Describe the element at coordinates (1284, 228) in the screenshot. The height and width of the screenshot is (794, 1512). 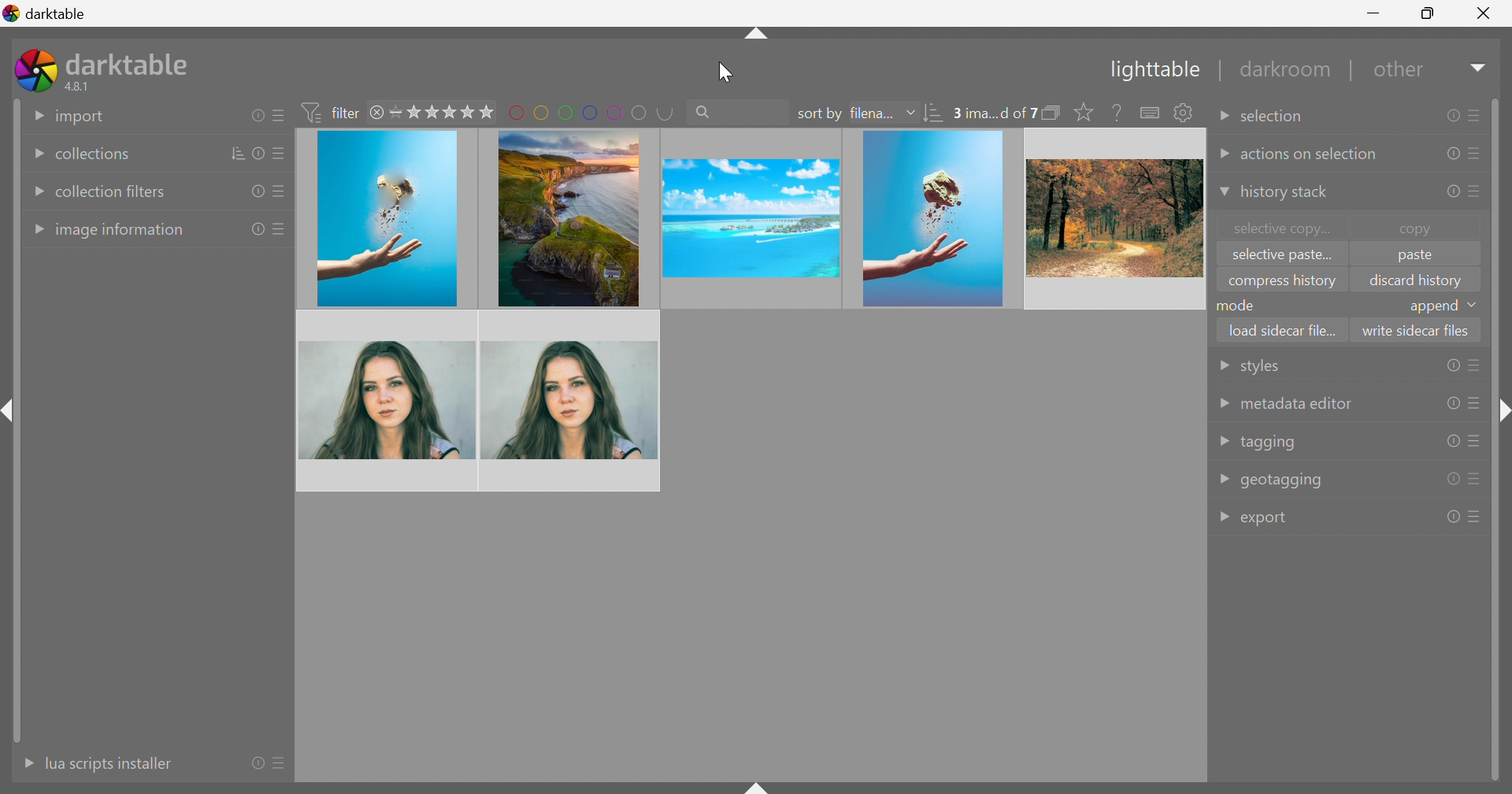
I see `selective copy...` at that location.